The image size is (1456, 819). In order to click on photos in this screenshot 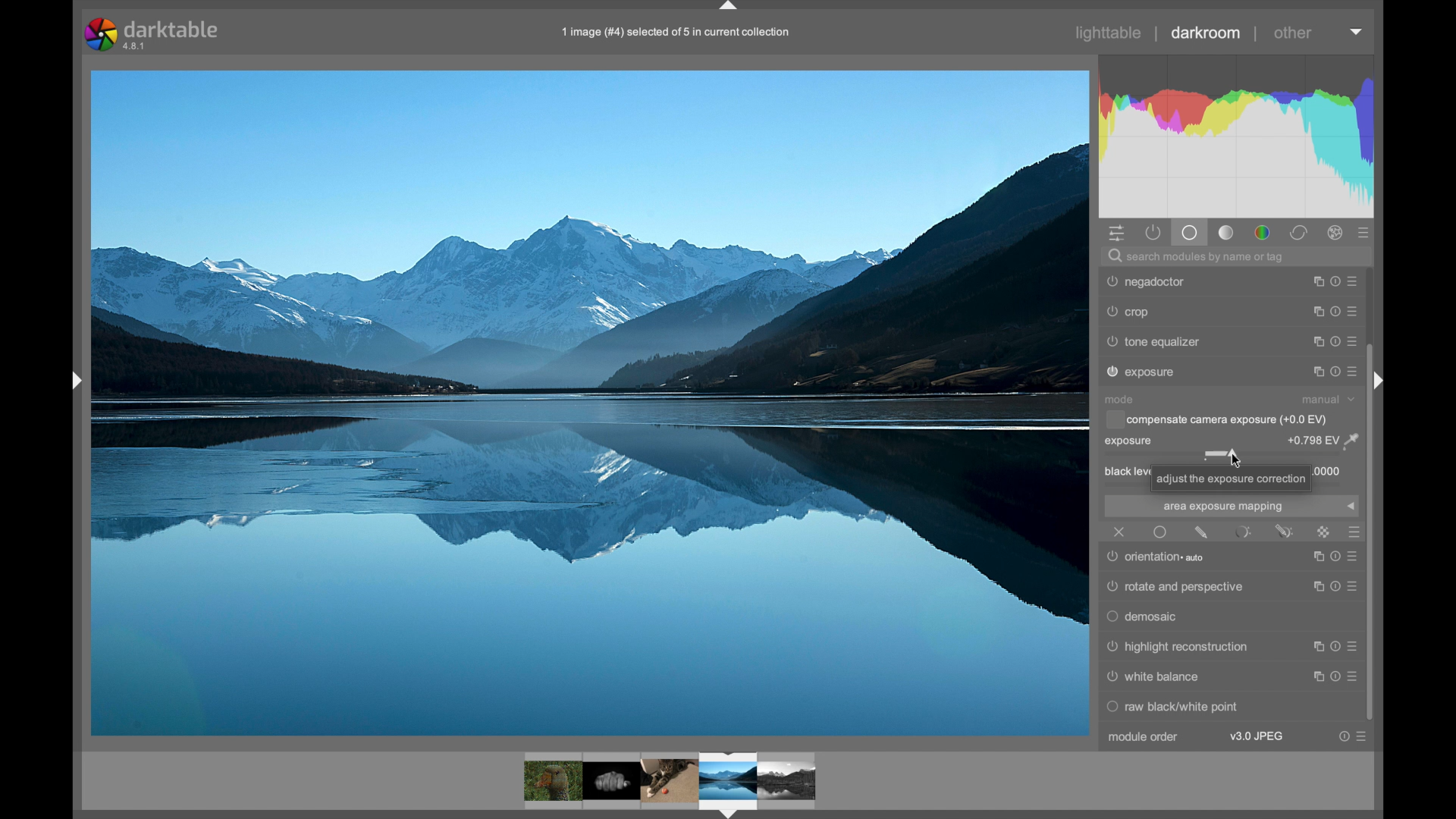, I will do `click(670, 783)`.